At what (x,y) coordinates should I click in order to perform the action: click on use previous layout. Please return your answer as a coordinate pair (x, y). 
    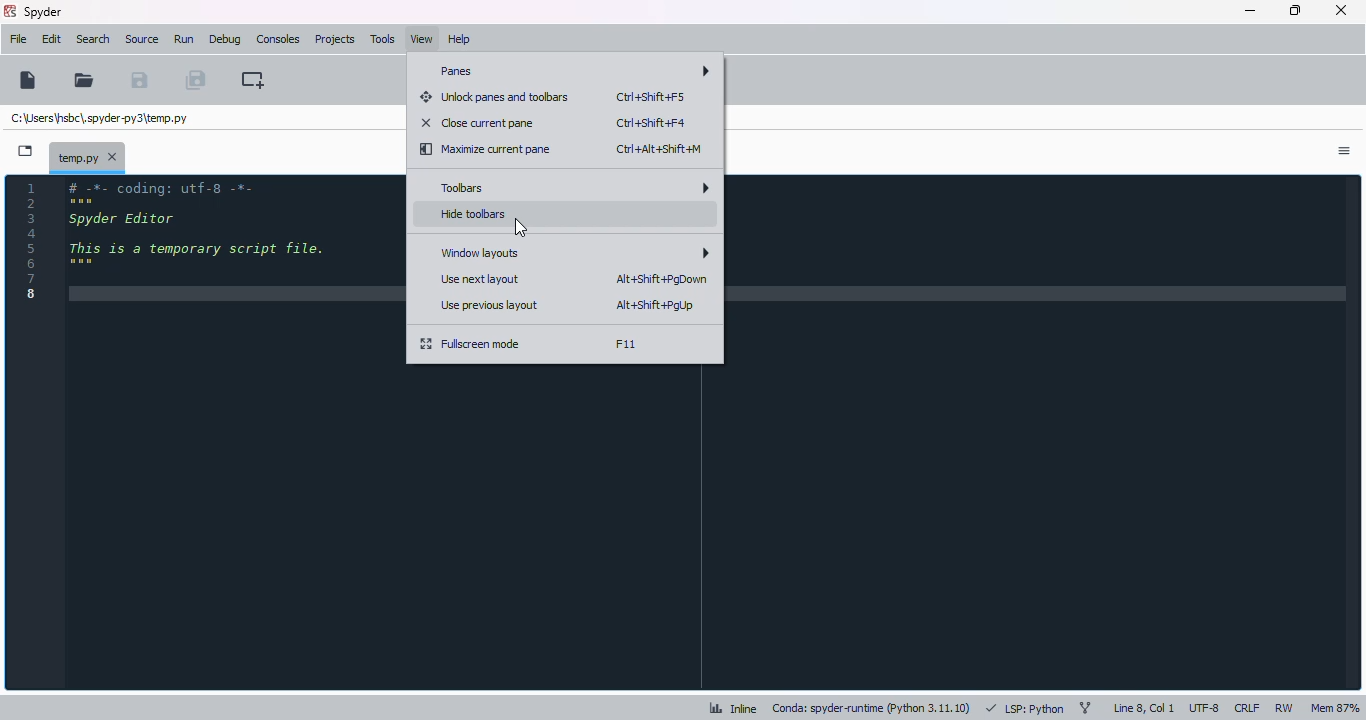
    Looking at the image, I should click on (489, 305).